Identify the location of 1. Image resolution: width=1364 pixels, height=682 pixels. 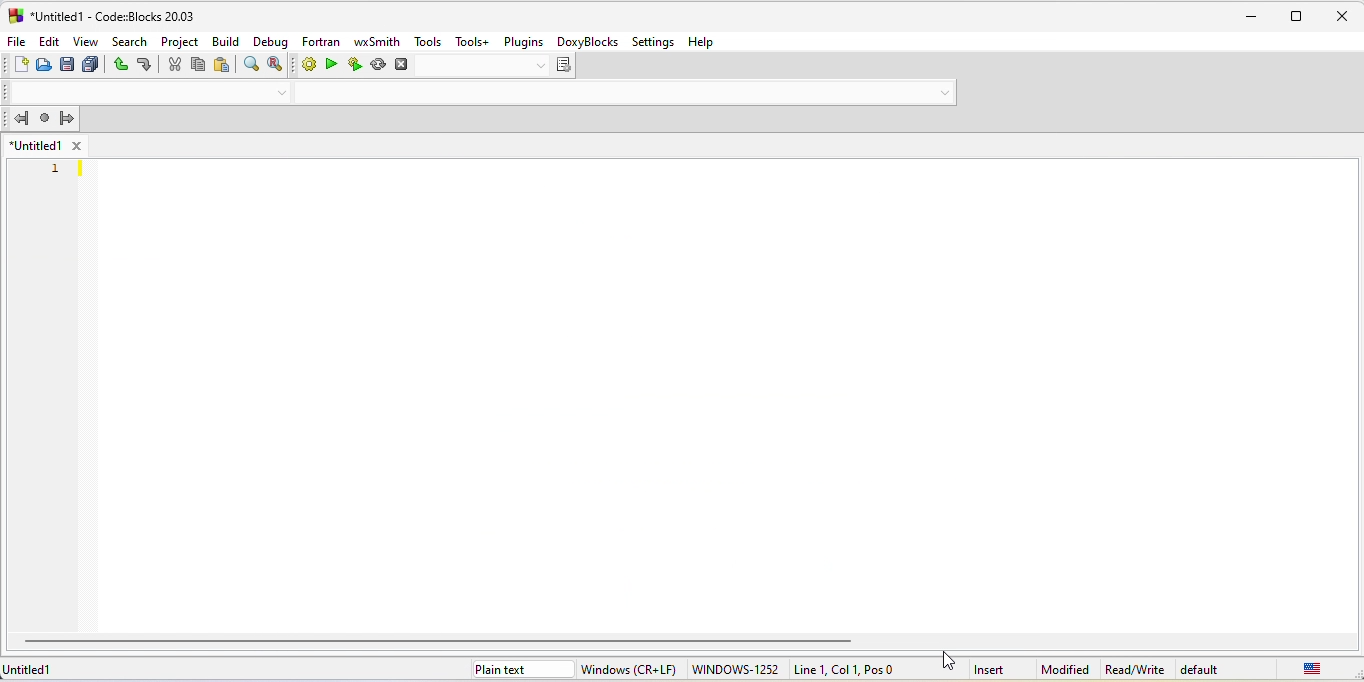
(57, 170).